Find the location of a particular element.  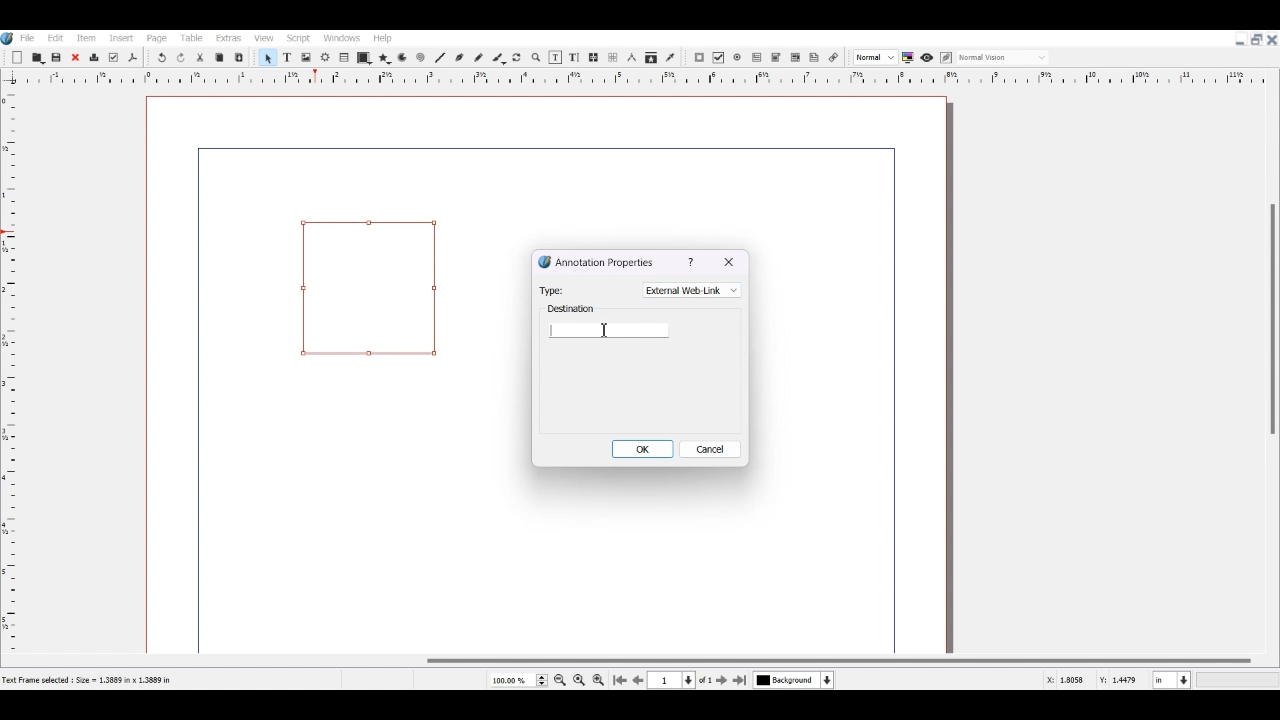

Close is located at coordinates (1272, 39).